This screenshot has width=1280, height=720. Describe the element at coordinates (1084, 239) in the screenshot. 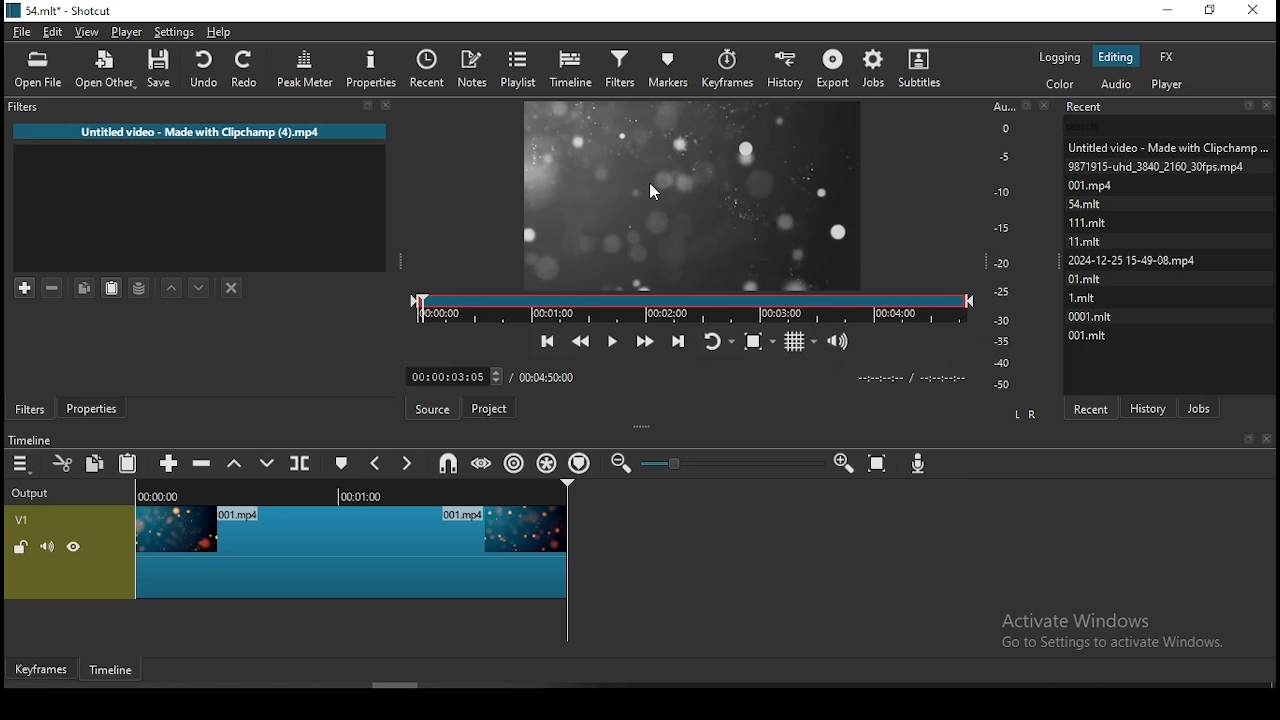

I see `files` at that location.